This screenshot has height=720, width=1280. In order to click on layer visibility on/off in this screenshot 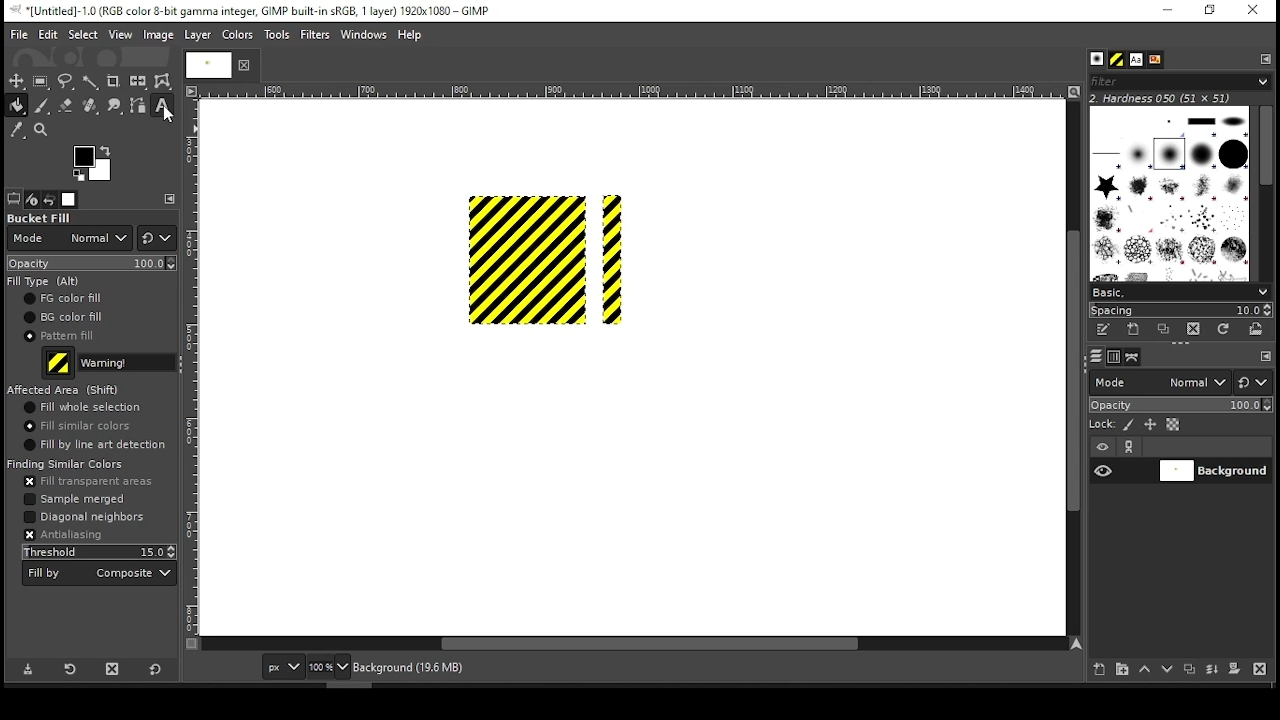, I will do `click(1104, 470)`.